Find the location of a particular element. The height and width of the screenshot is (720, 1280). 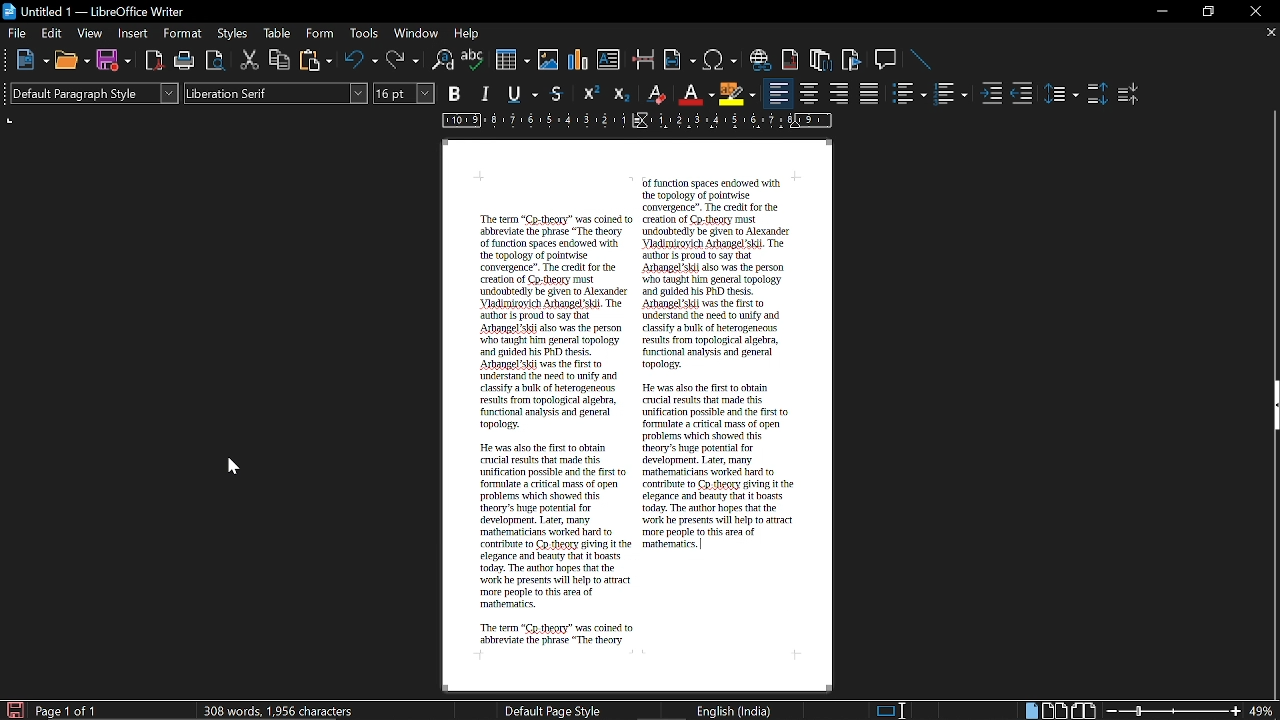

Open is located at coordinates (72, 62).